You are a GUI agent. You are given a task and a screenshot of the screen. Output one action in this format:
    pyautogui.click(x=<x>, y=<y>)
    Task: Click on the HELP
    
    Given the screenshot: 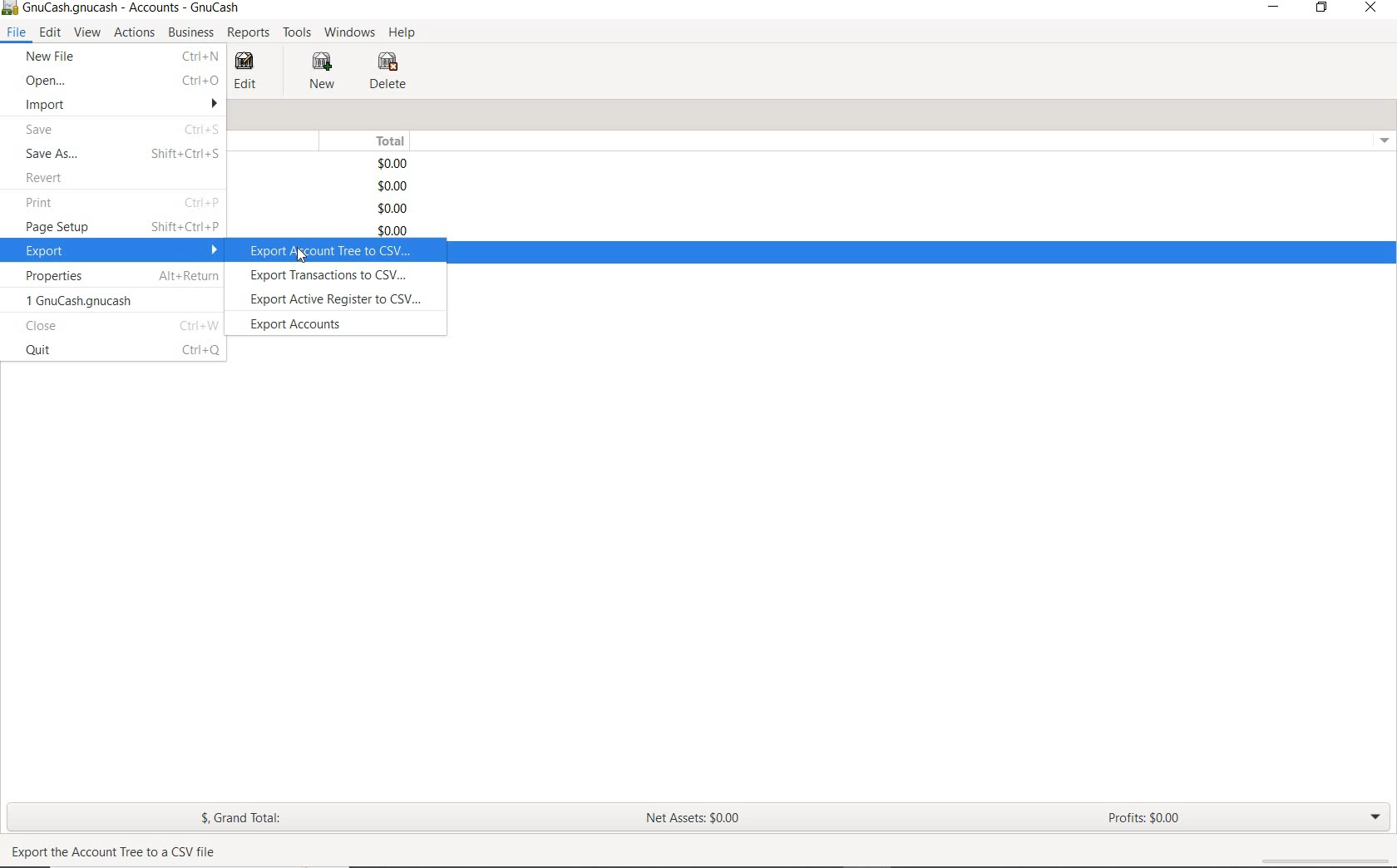 What is the action you would take?
    pyautogui.click(x=402, y=33)
    